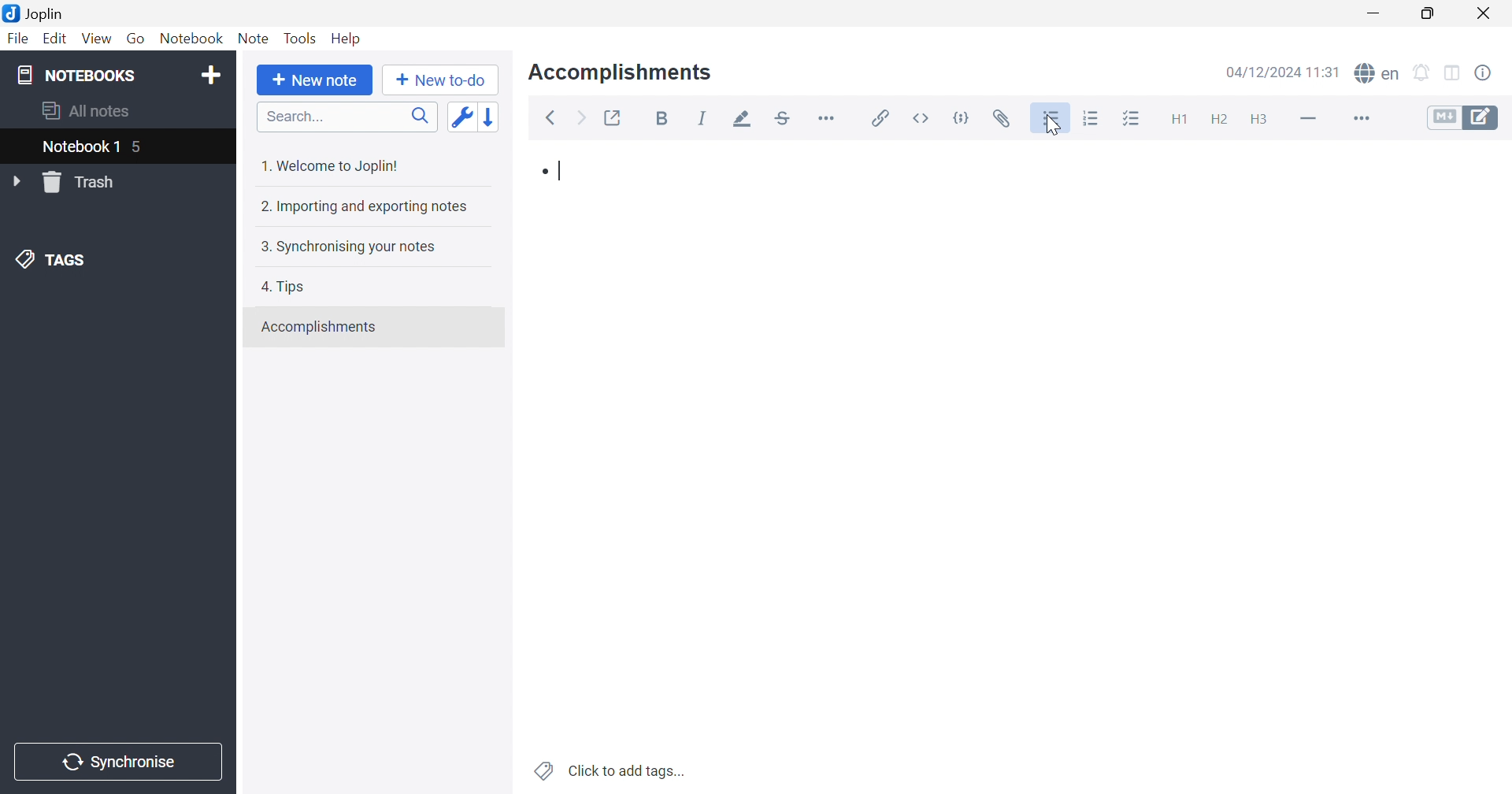 This screenshot has width=1512, height=794. Describe the element at coordinates (140, 148) in the screenshot. I see `5` at that location.